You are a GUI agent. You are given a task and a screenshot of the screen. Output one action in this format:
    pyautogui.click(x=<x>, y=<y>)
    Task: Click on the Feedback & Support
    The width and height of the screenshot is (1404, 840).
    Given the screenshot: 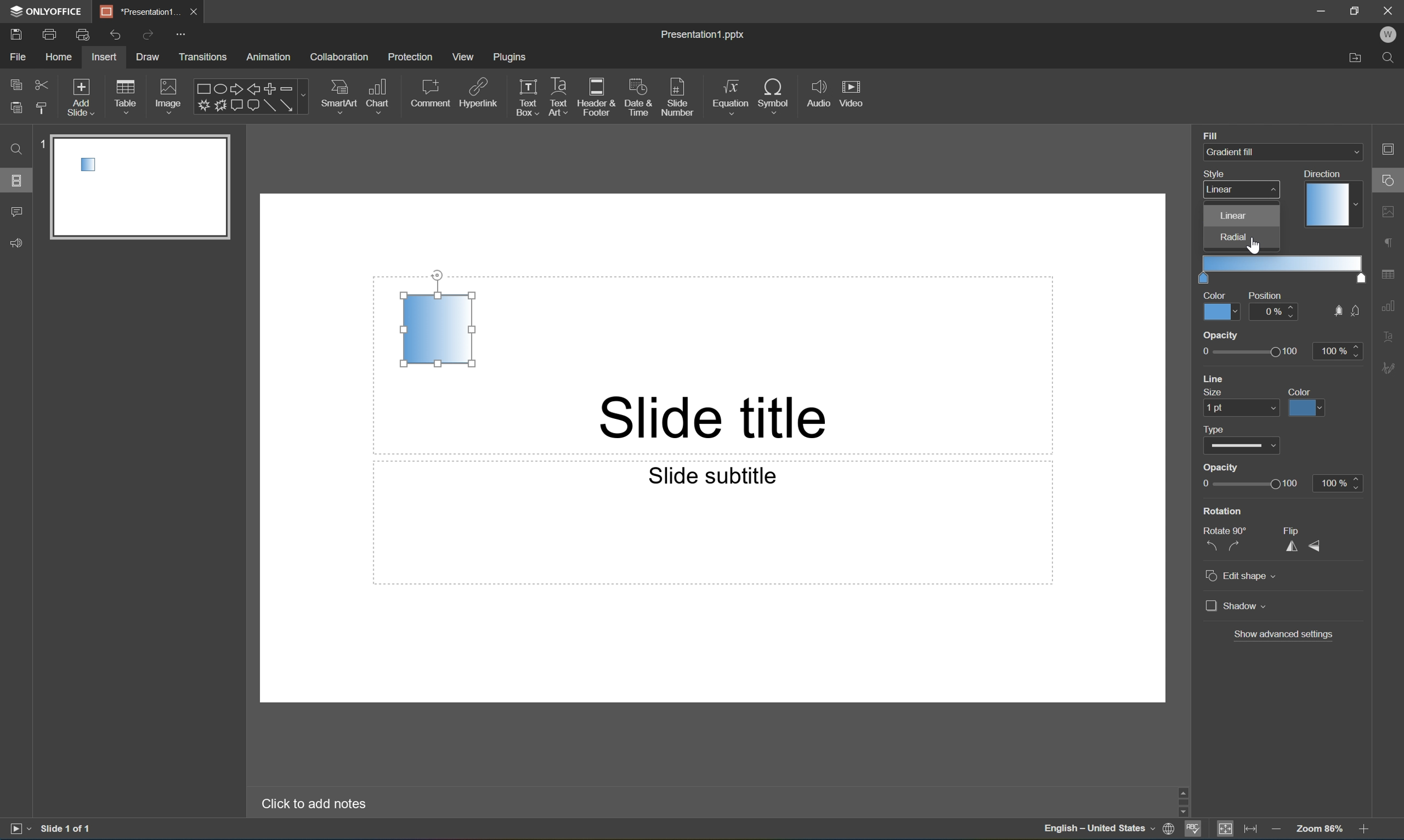 What is the action you would take?
    pyautogui.click(x=18, y=243)
    